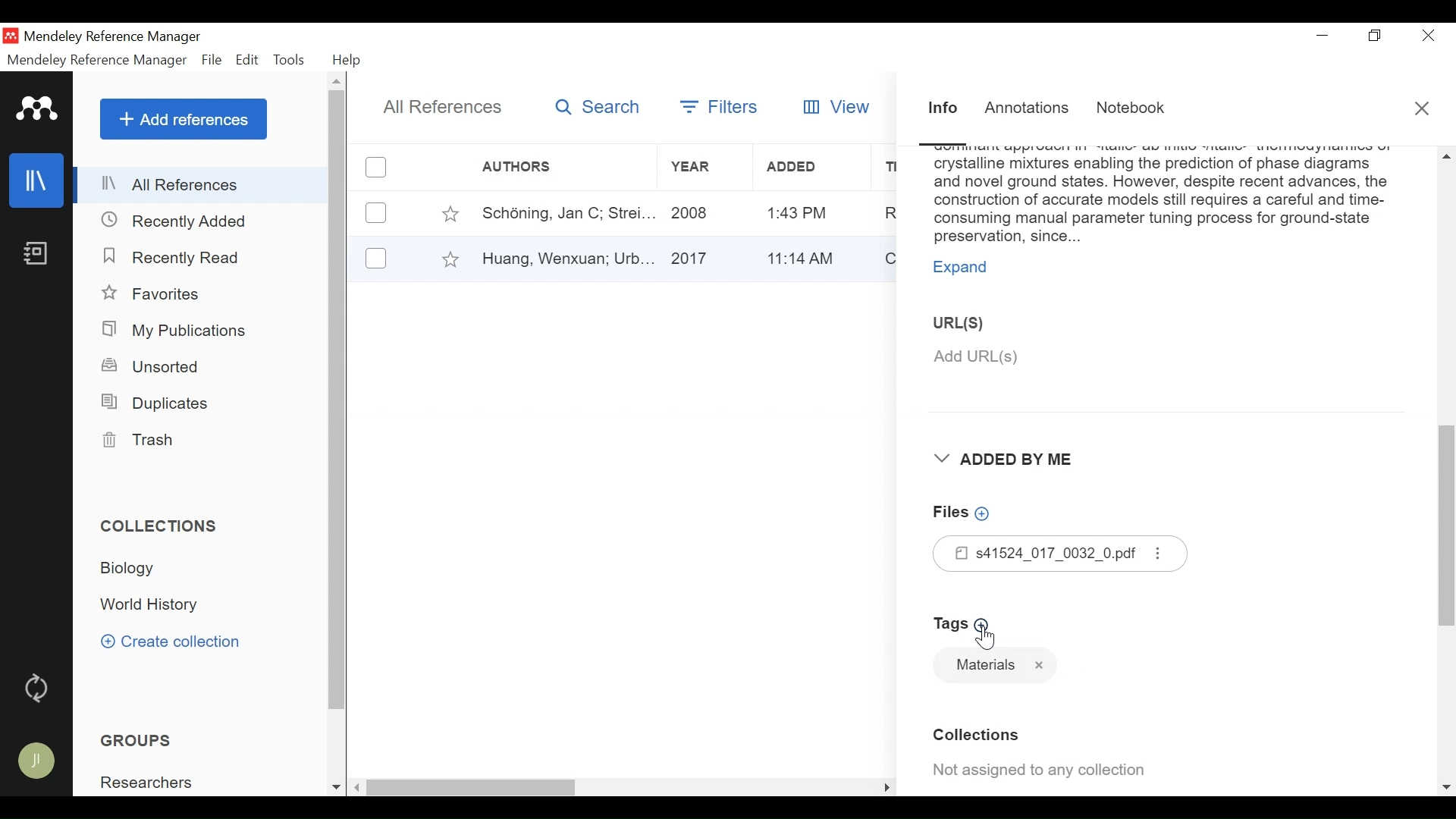  I want to click on Collection, so click(152, 606).